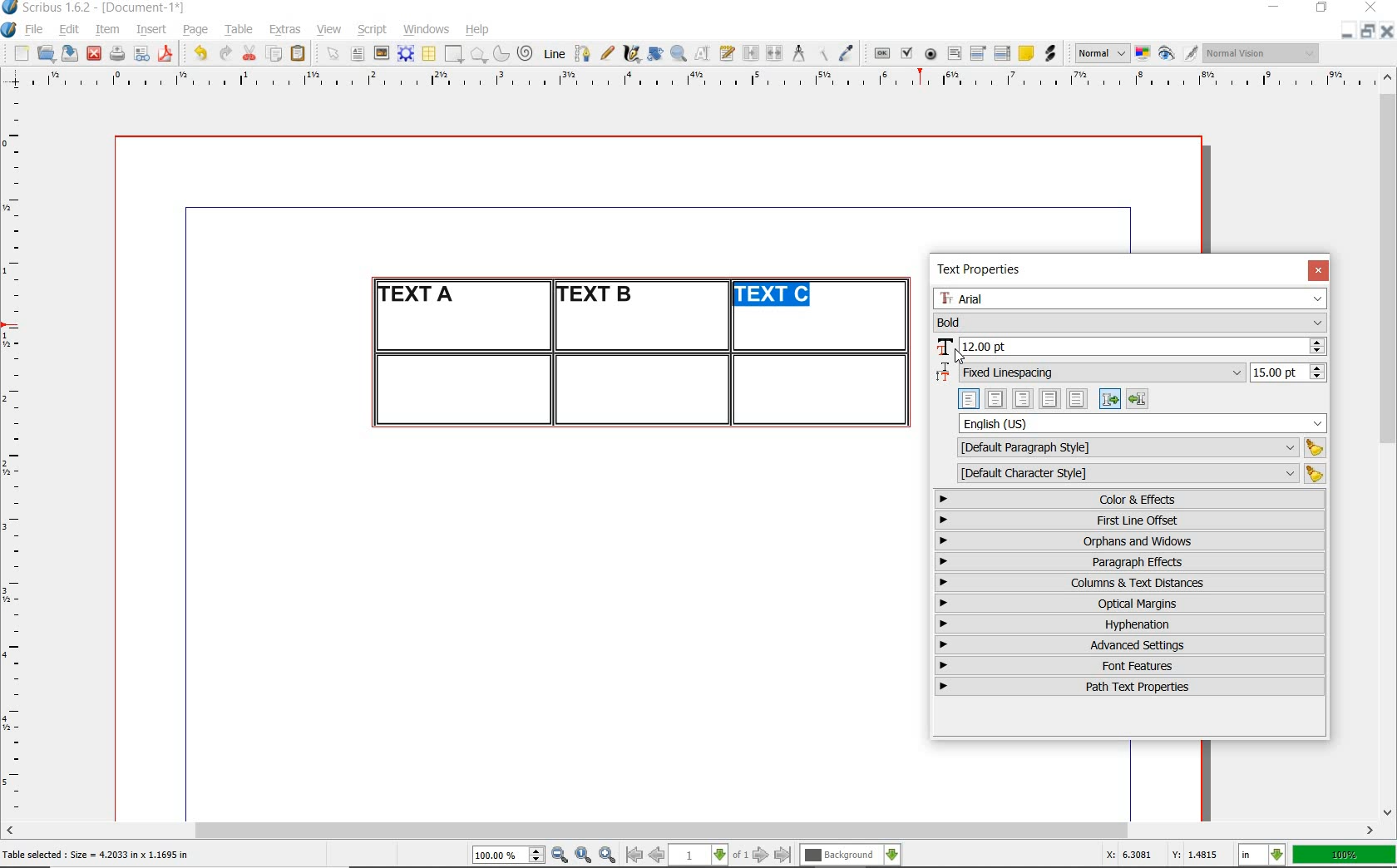 This screenshot has width=1397, height=868. What do you see at coordinates (560, 856) in the screenshot?
I see `zoom out` at bounding box center [560, 856].